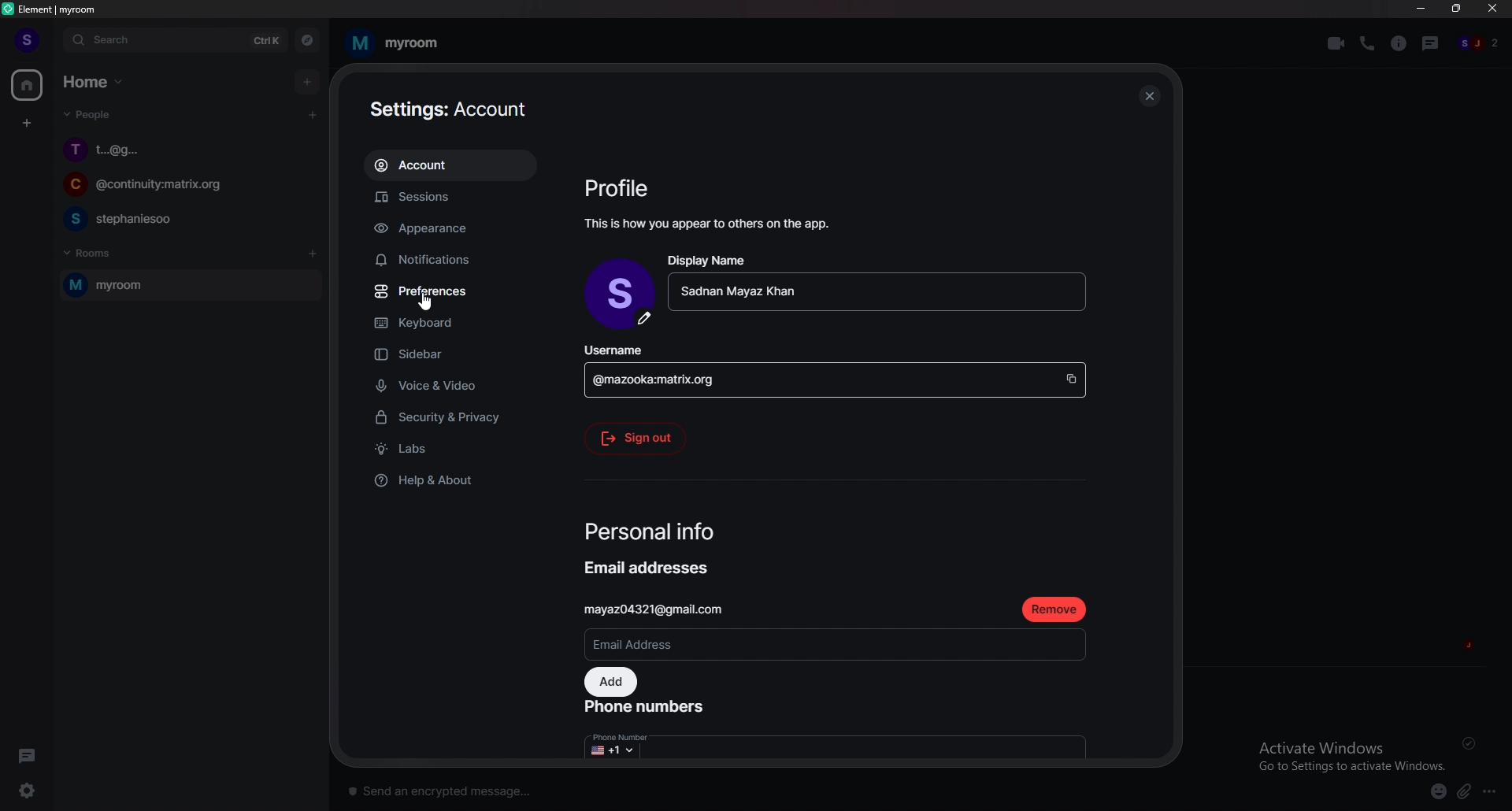 Image resolution: width=1512 pixels, height=811 pixels. Describe the element at coordinates (622, 296) in the screenshot. I see `display photo` at that location.